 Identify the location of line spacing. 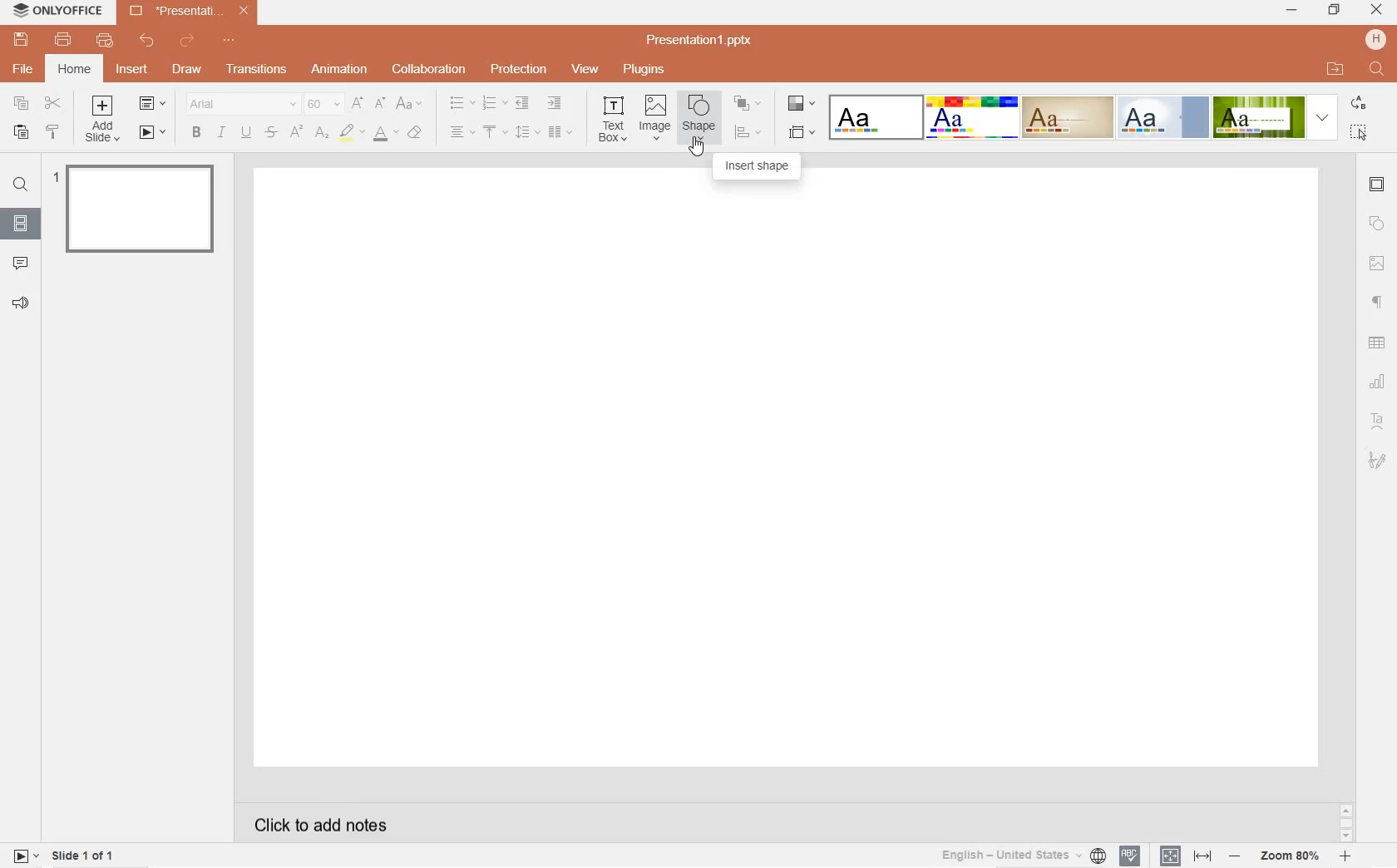
(526, 131).